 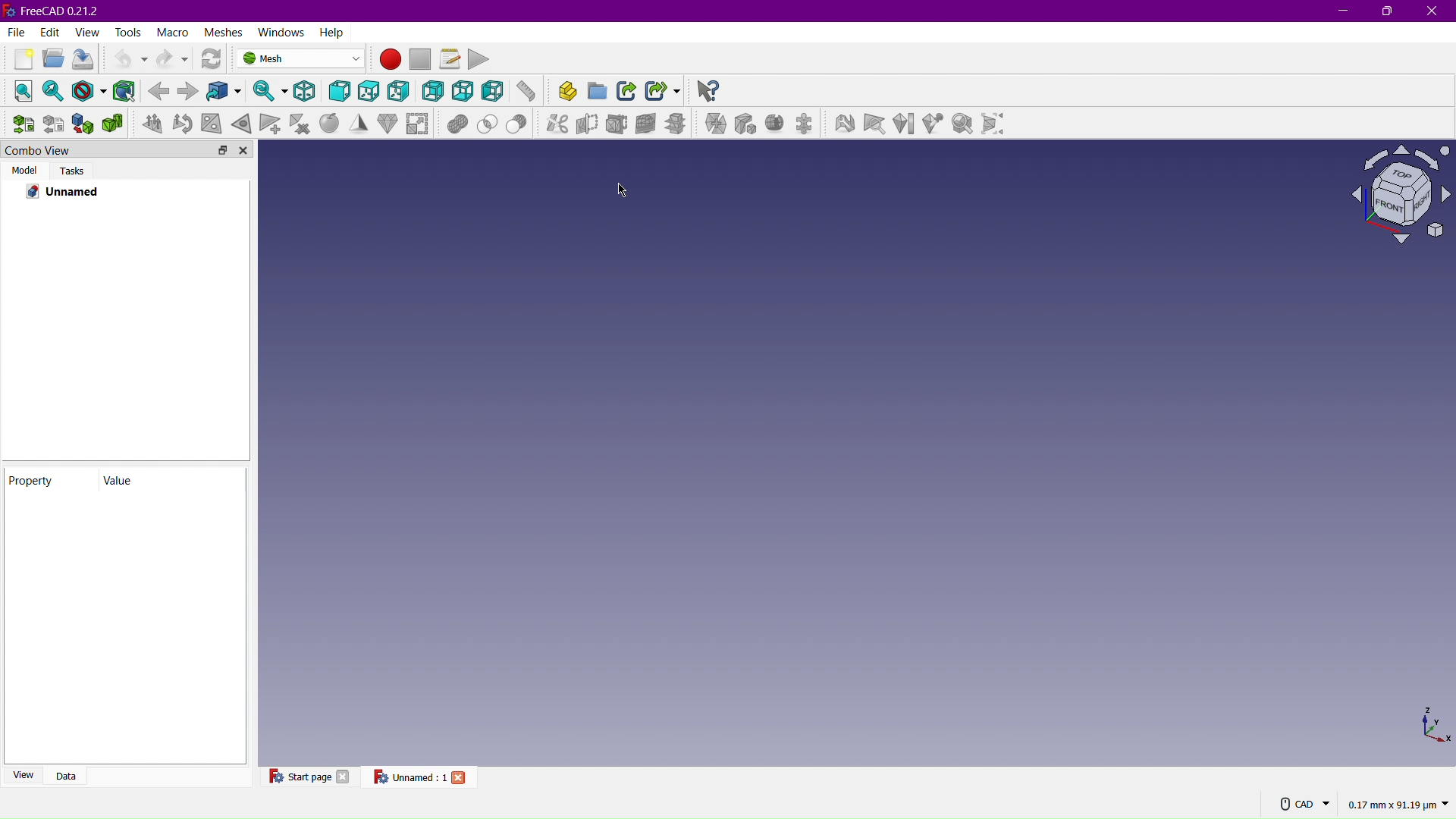 What do you see at coordinates (808, 125) in the screenshot?
I see `Create mesh segments` at bounding box center [808, 125].